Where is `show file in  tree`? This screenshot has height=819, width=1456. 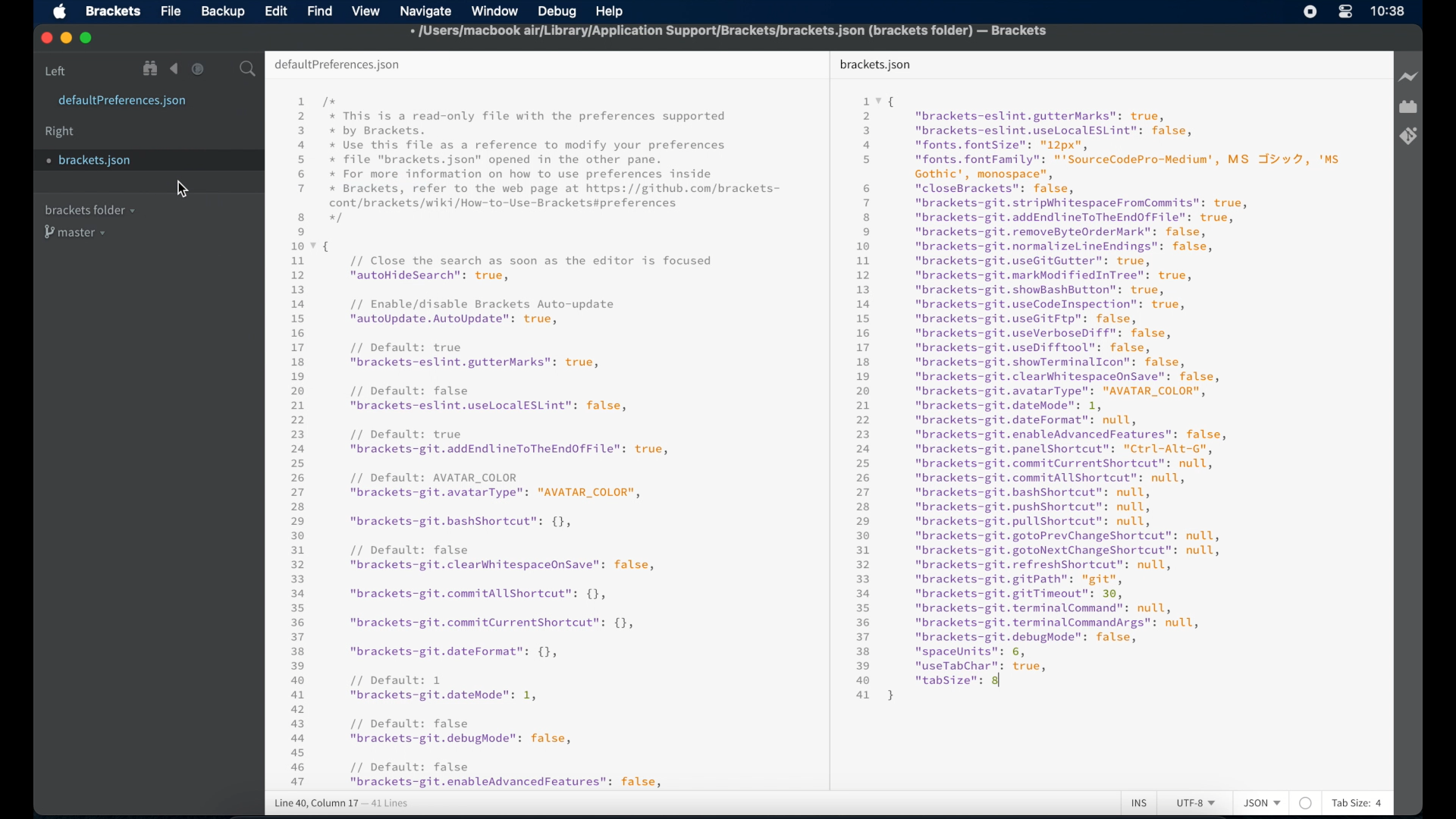 show file in  tree is located at coordinates (151, 68).